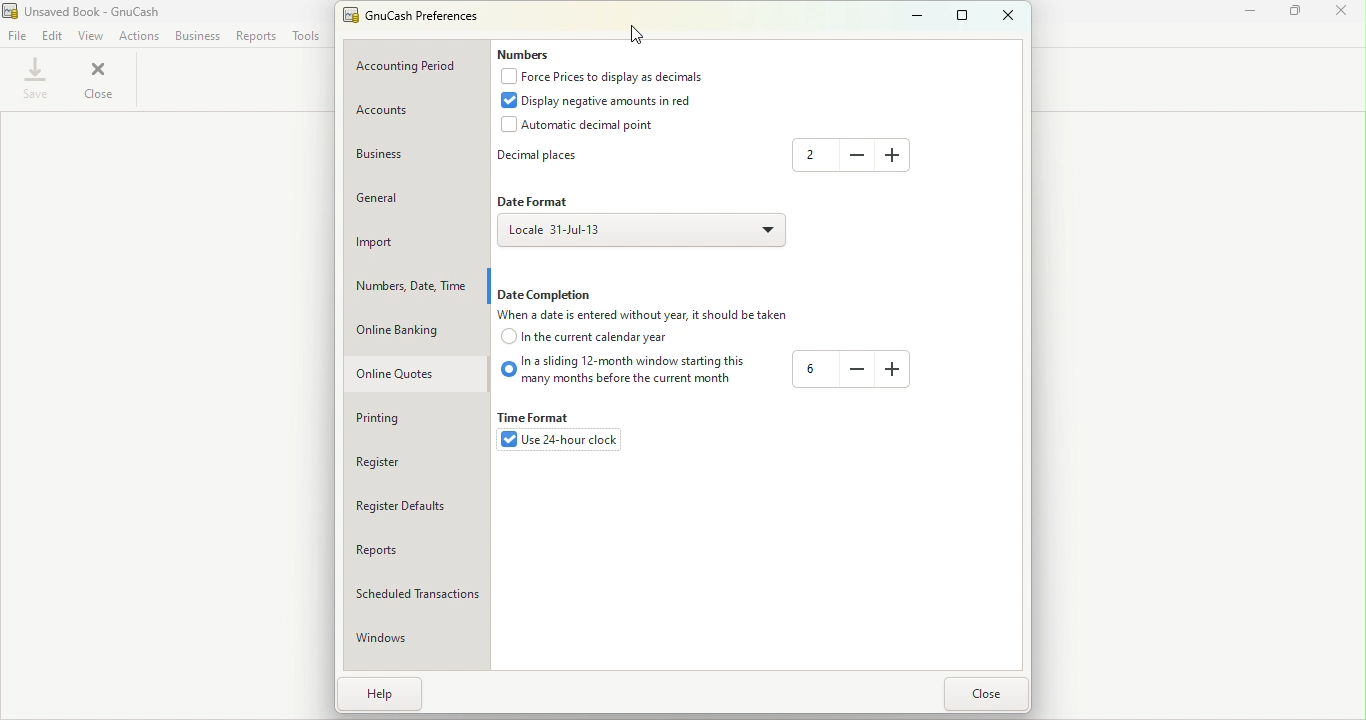  Describe the element at coordinates (34, 78) in the screenshot. I see `Save` at that location.